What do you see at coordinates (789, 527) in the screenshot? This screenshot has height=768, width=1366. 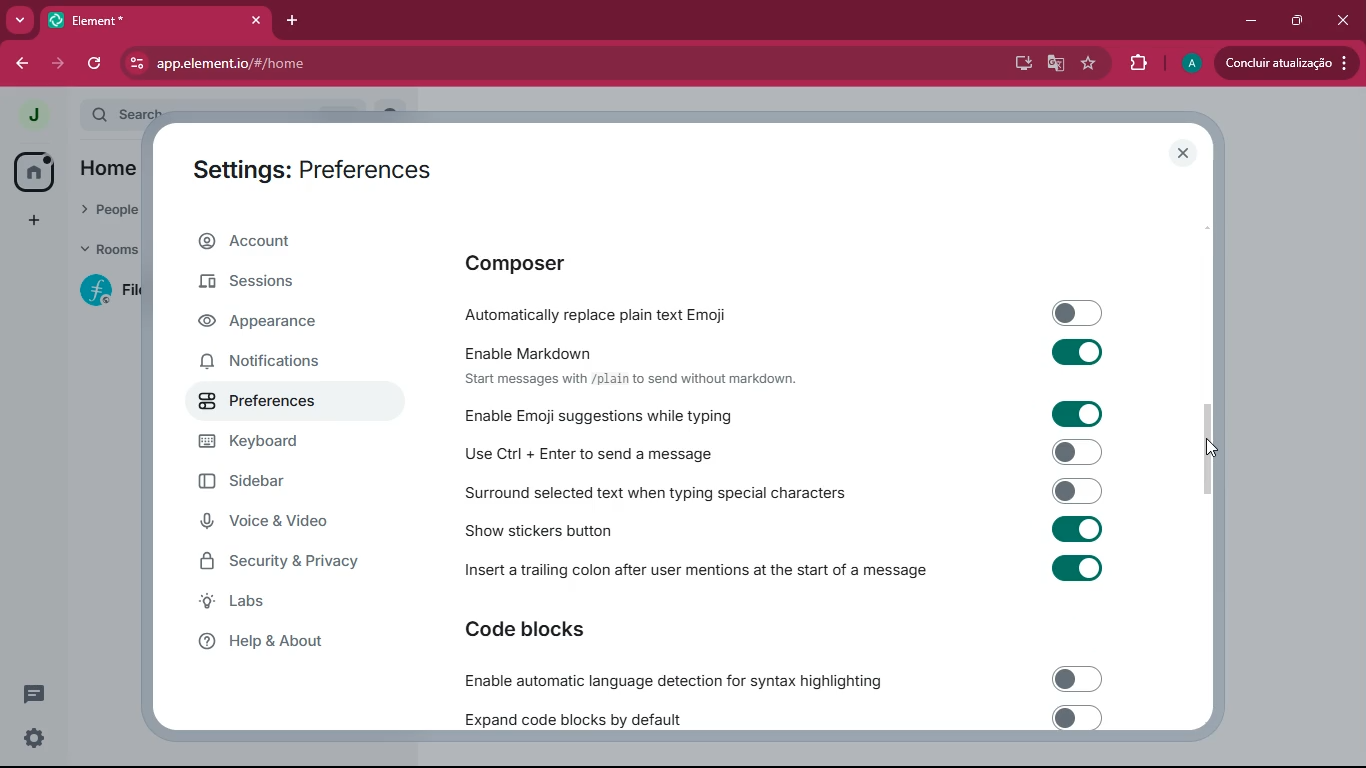 I see `show stickers button` at bounding box center [789, 527].